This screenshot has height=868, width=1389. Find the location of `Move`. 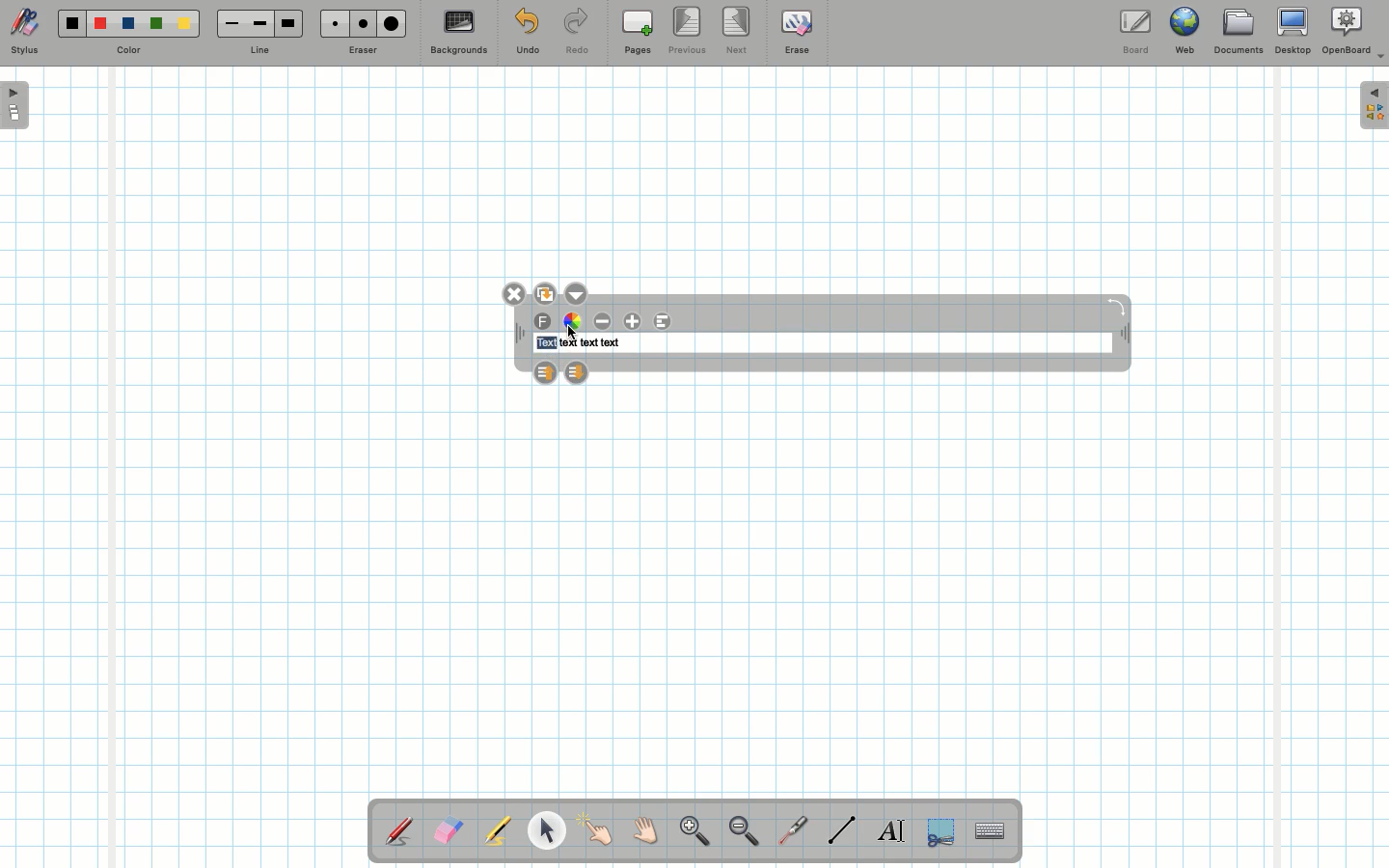

Move is located at coordinates (1123, 336).